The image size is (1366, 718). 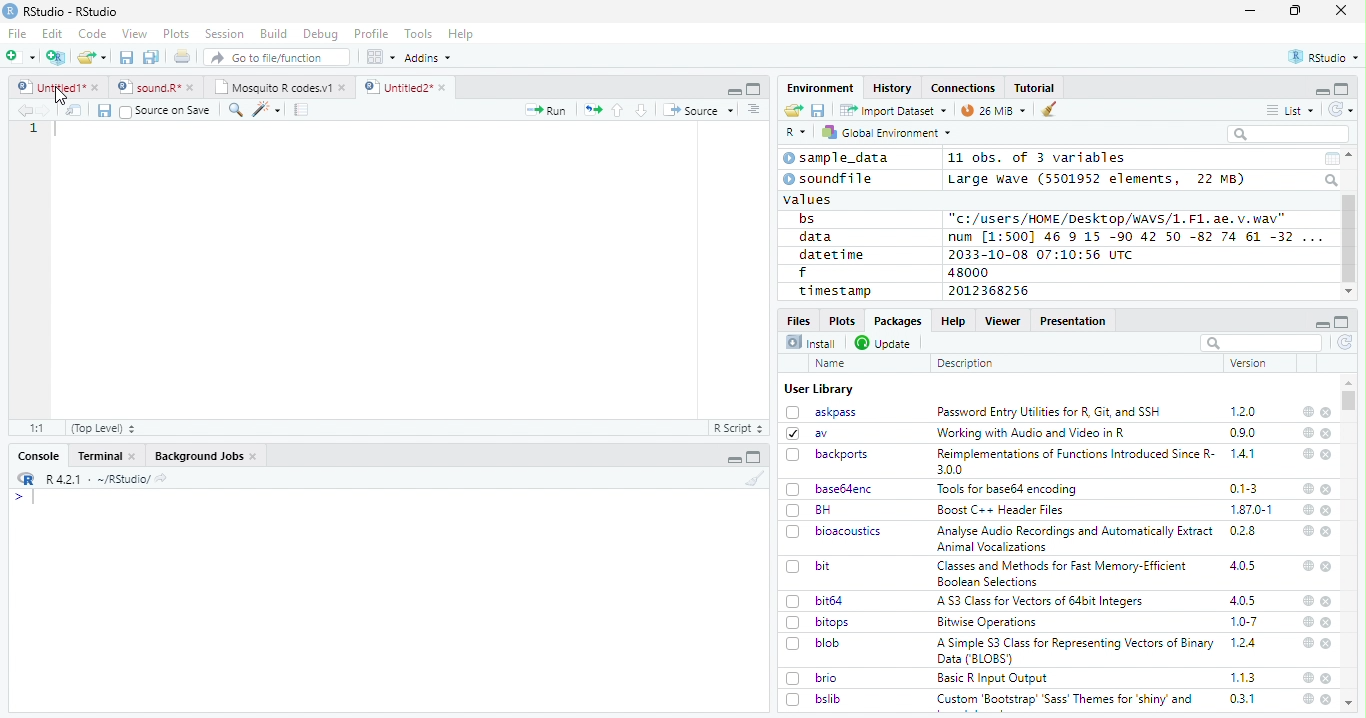 I want to click on minimize, so click(x=736, y=457).